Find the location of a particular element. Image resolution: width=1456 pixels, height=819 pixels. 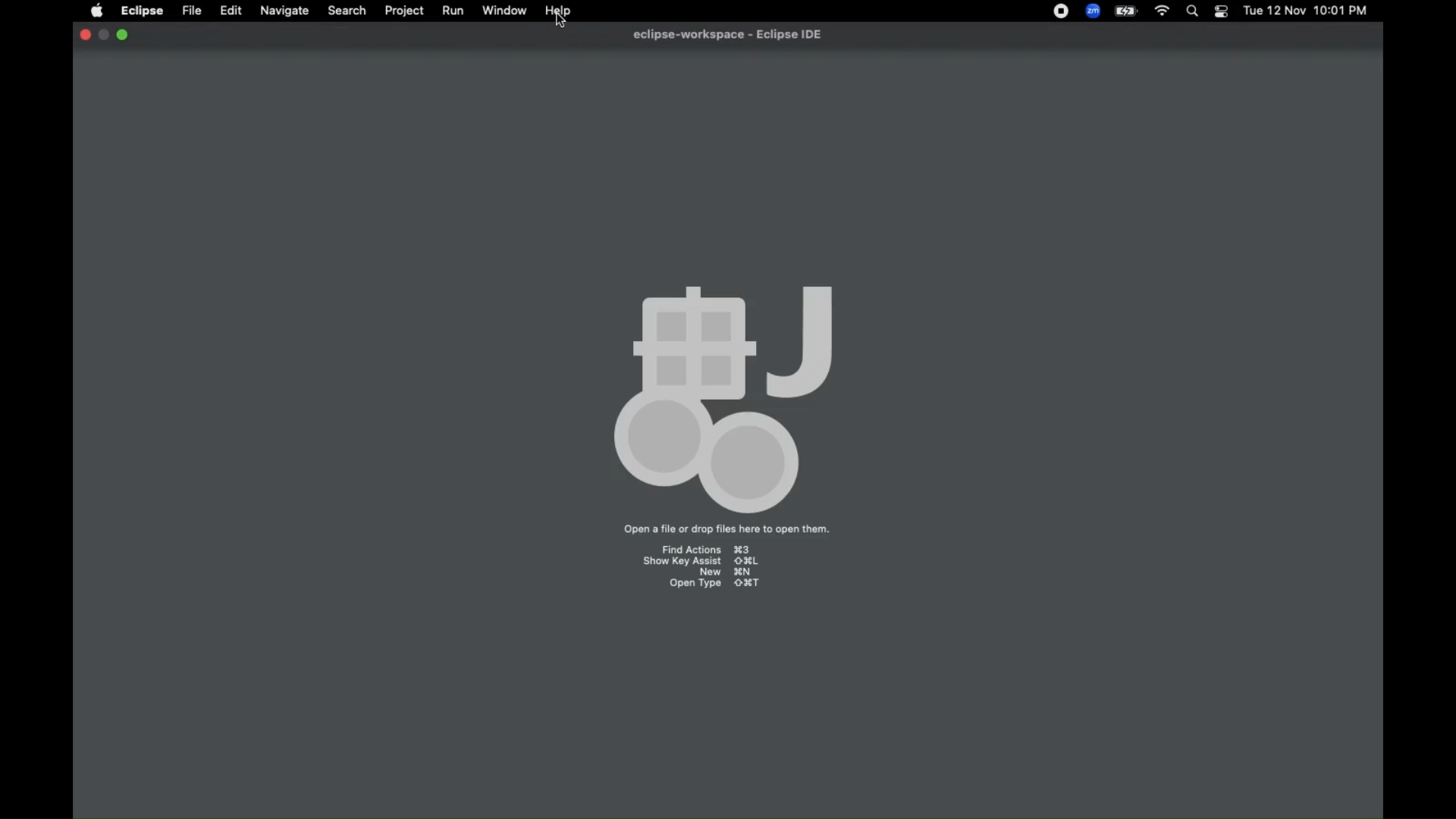

open a flie or drop files here to open them  is located at coordinates (728, 529).